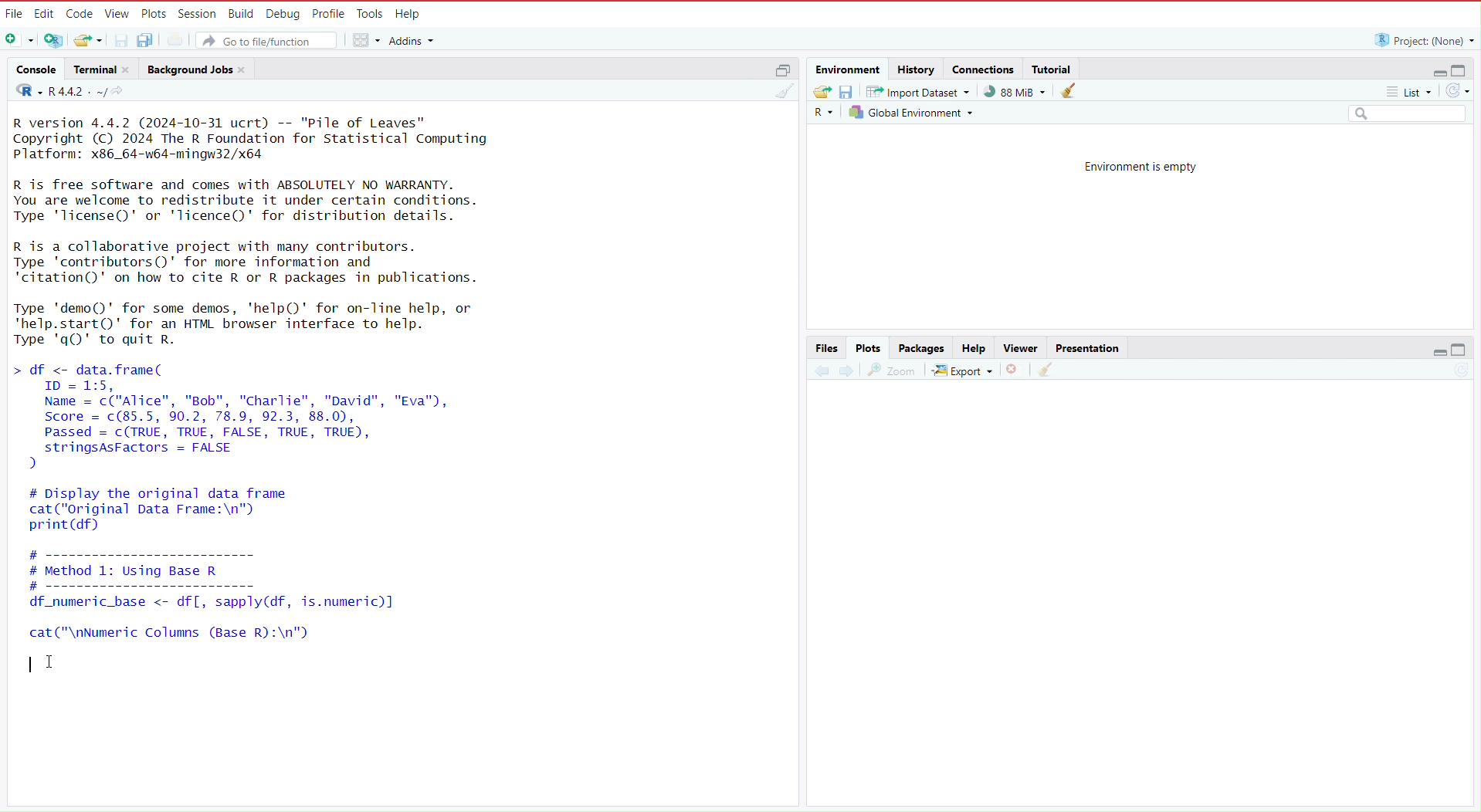 This screenshot has width=1481, height=812. What do you see at coordinates (866, 349) in the screenshot?
I see `Plots` at bounding box center [866, 349].